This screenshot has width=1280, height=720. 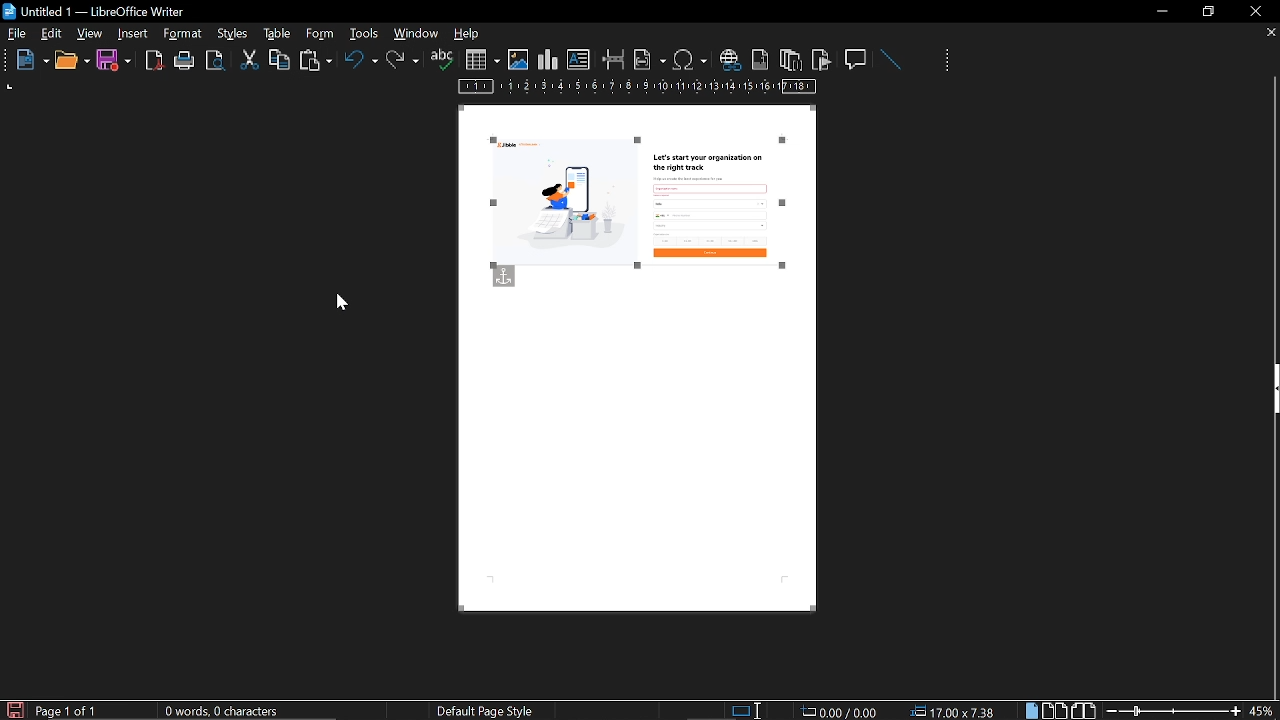 I want to click on edit, so click(x=52, y=35).